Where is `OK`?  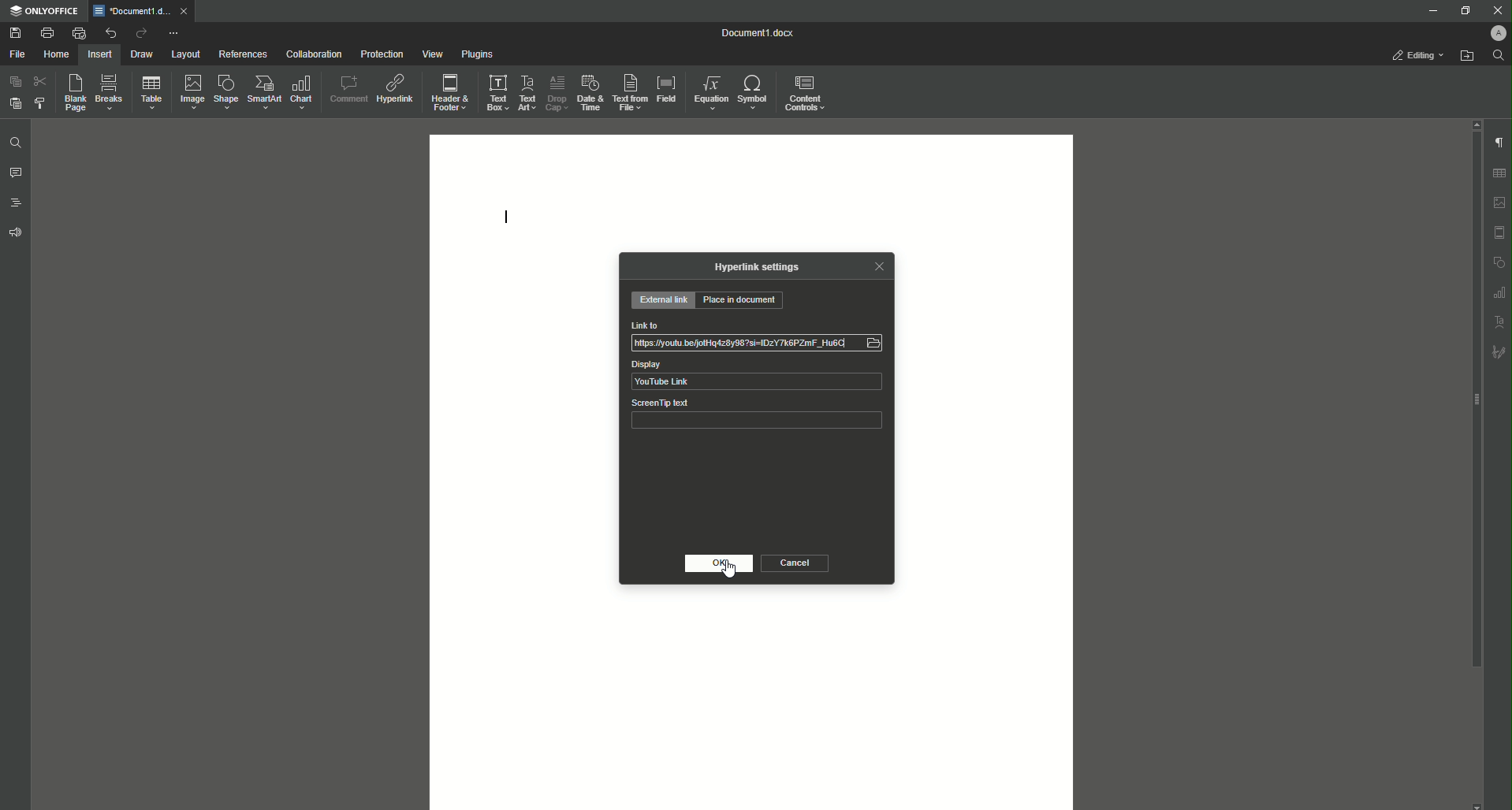 OK is located at coordinates (718, 563).